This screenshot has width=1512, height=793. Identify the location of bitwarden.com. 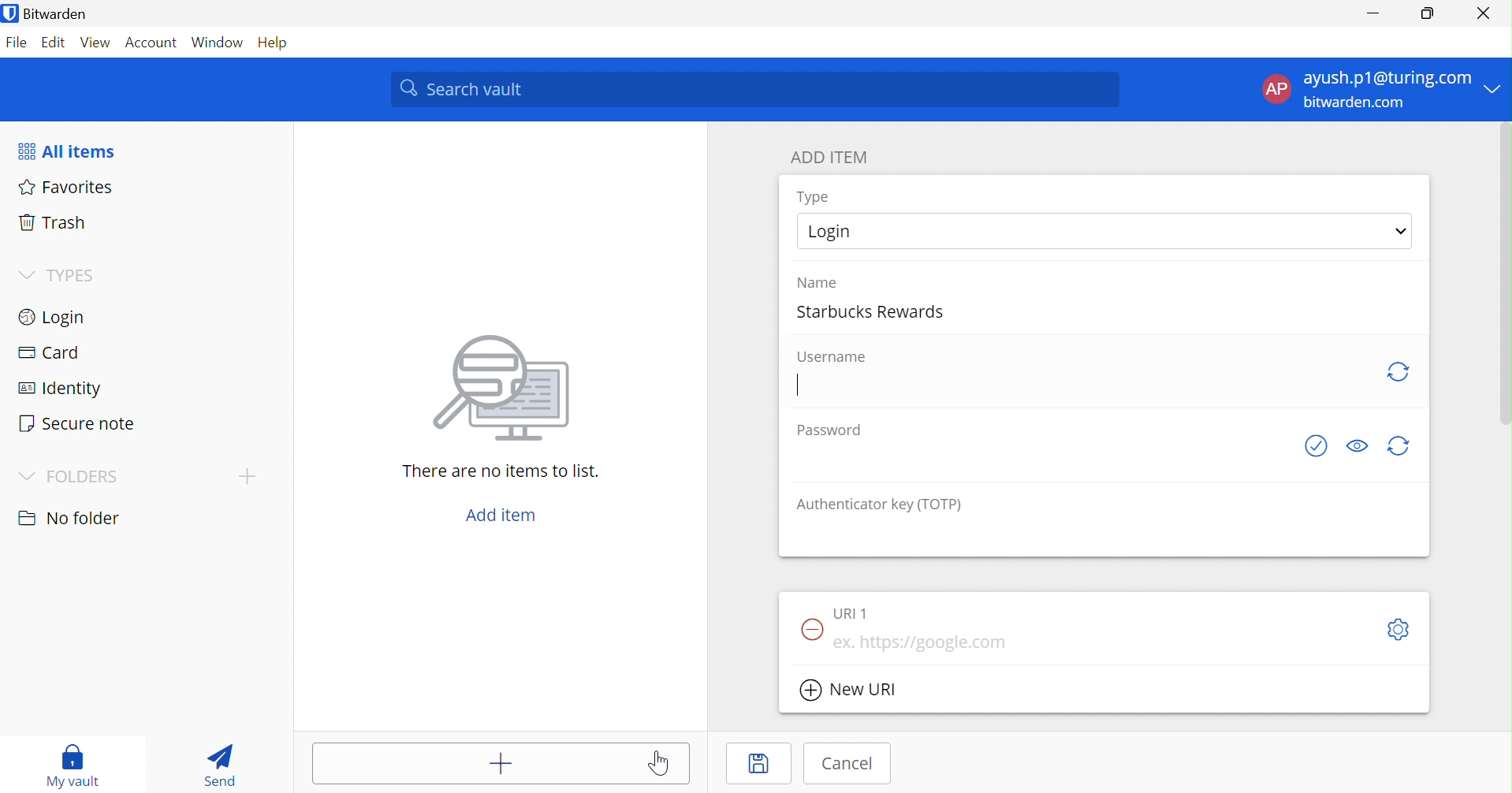
(1356, 103).